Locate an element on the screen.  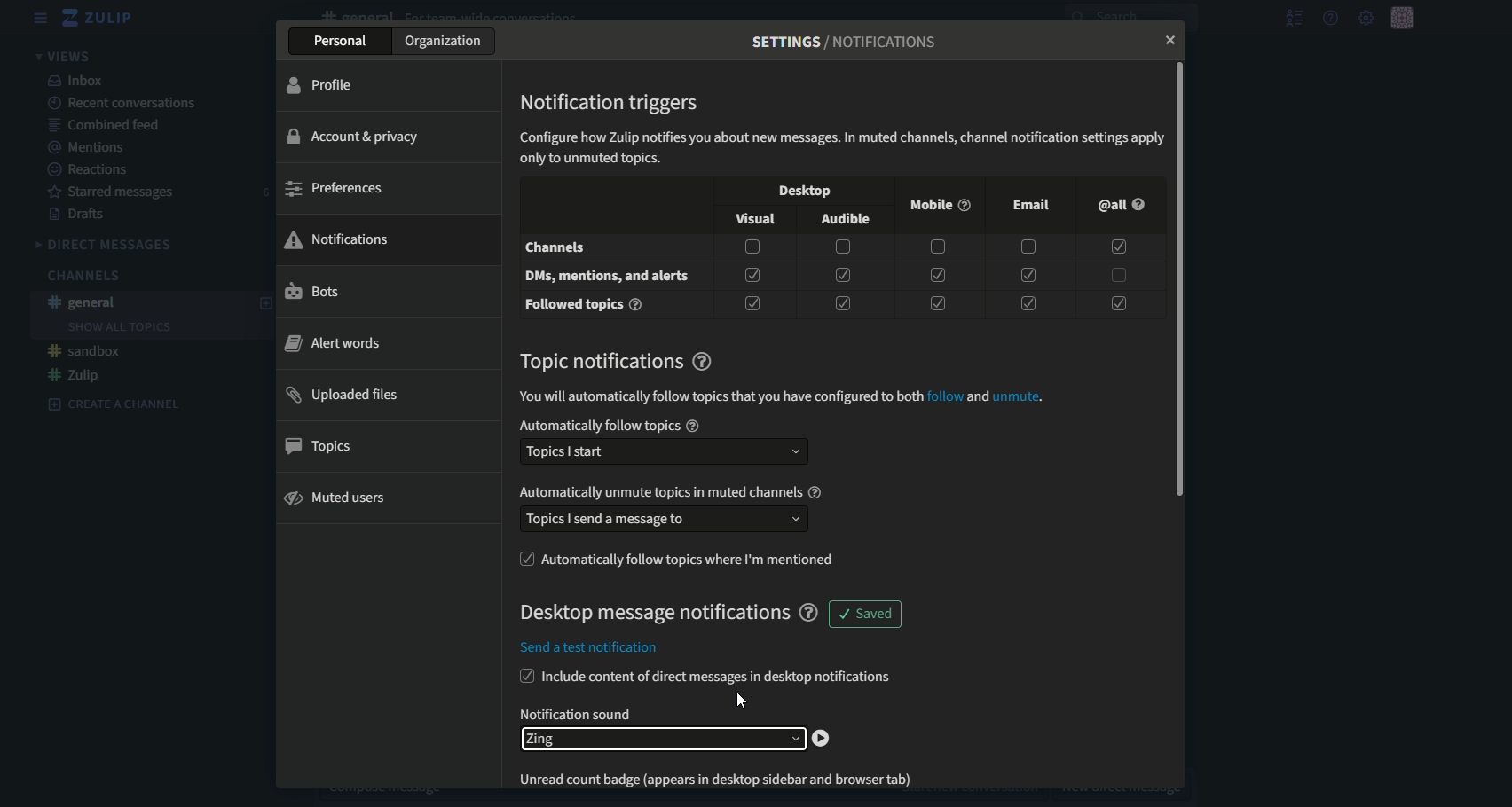
text is located at coordinates (650, 614).